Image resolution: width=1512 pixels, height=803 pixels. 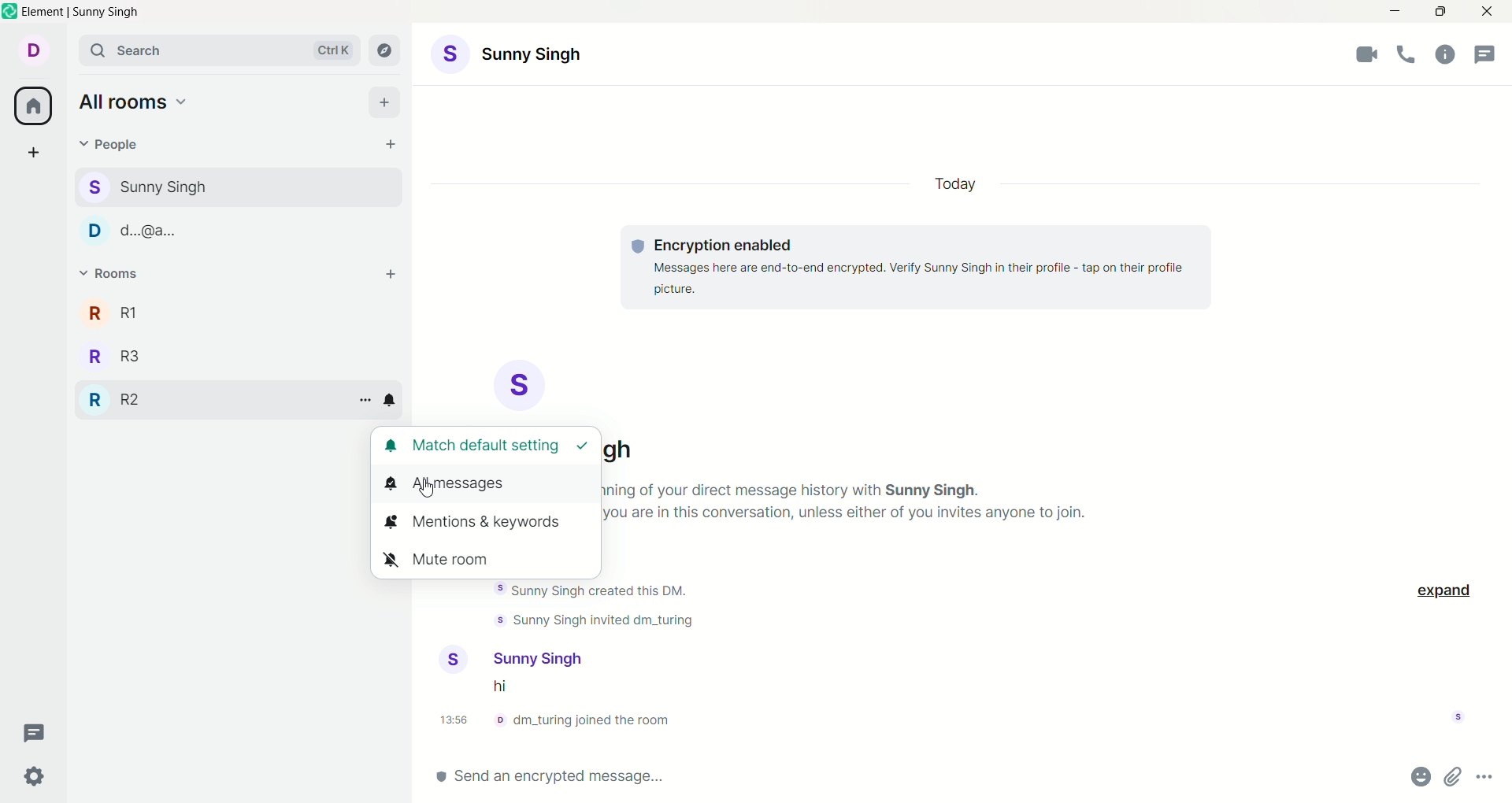 What do you see at coordinates (32, 108) in the screenshot?
I see `all rooms` at bounding box center [32, 108].